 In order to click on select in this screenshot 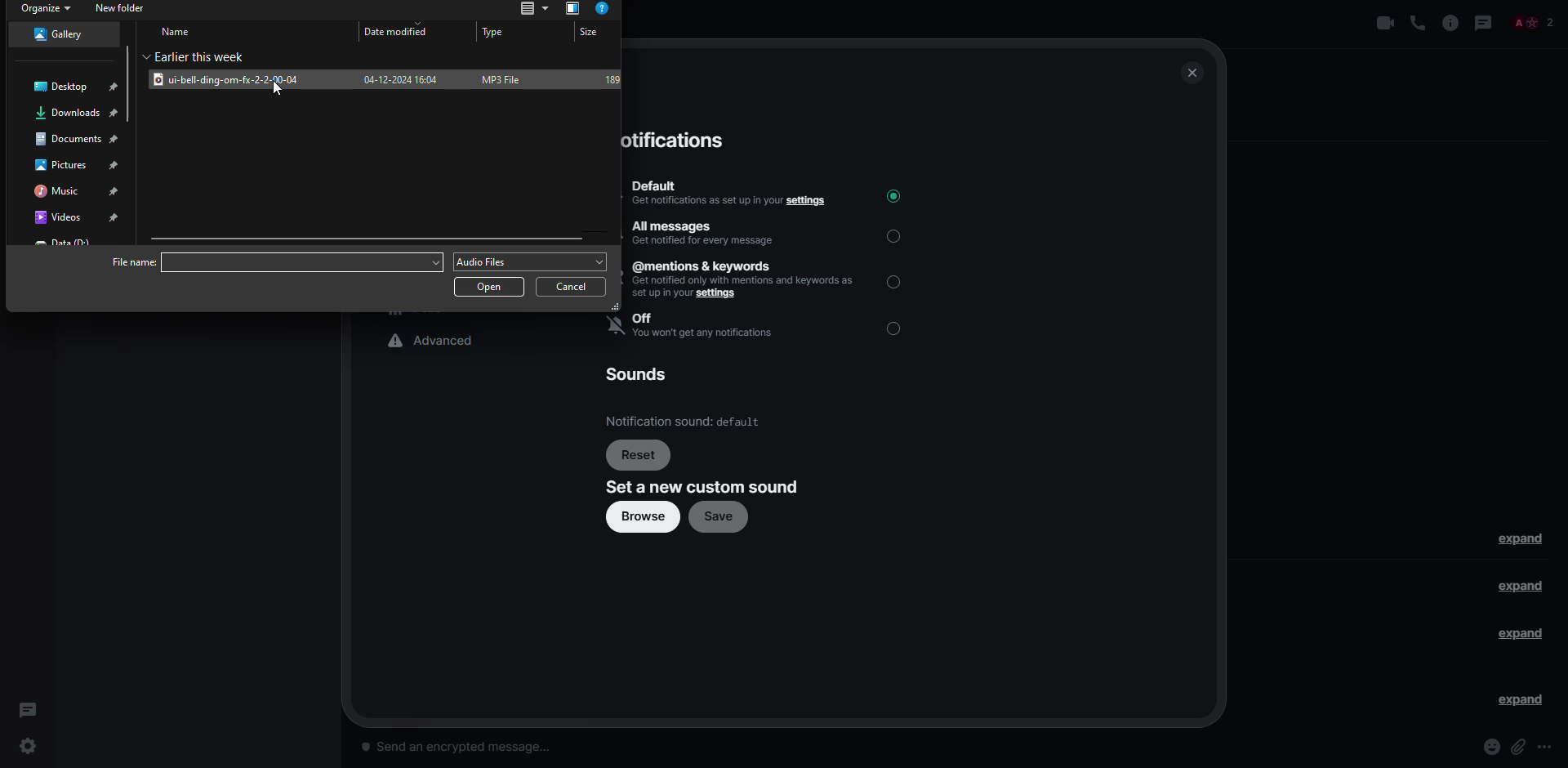, I will do `click(896, 328)`.